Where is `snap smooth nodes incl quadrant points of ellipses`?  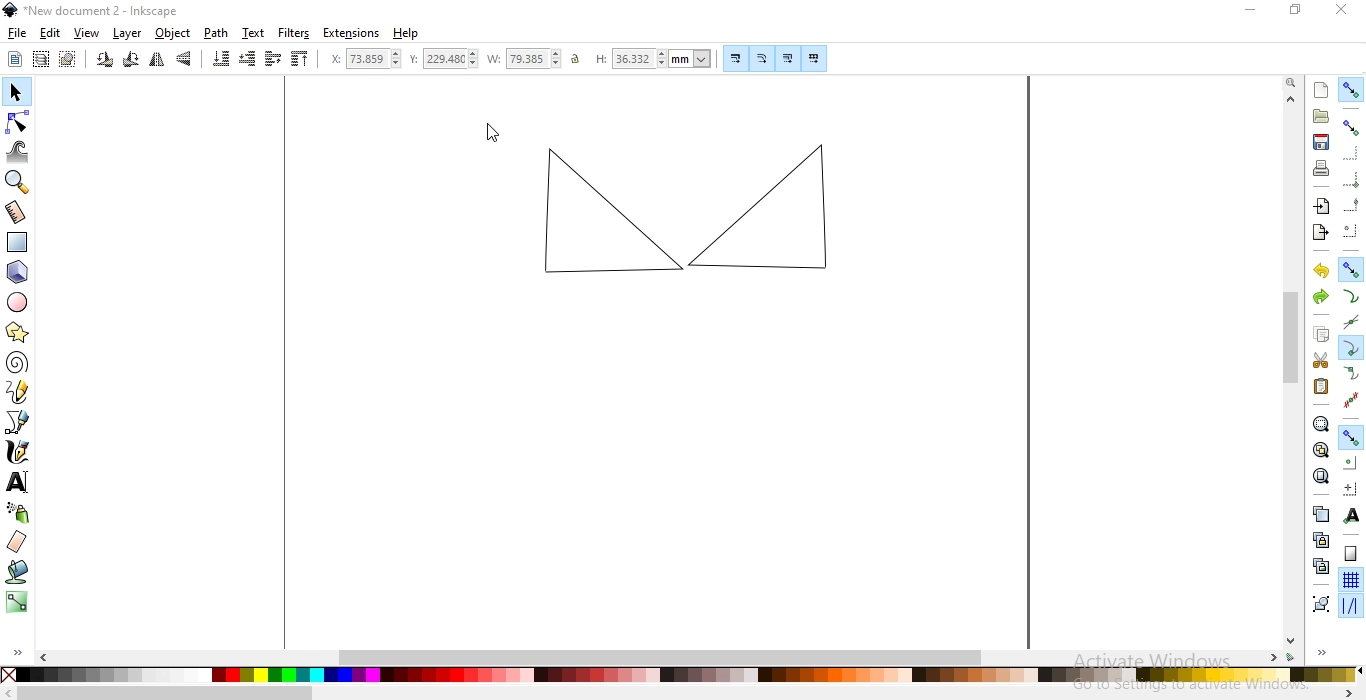
snap smooth nodes incl quadrant points of ellipses is located at coordinates (1351, 373).